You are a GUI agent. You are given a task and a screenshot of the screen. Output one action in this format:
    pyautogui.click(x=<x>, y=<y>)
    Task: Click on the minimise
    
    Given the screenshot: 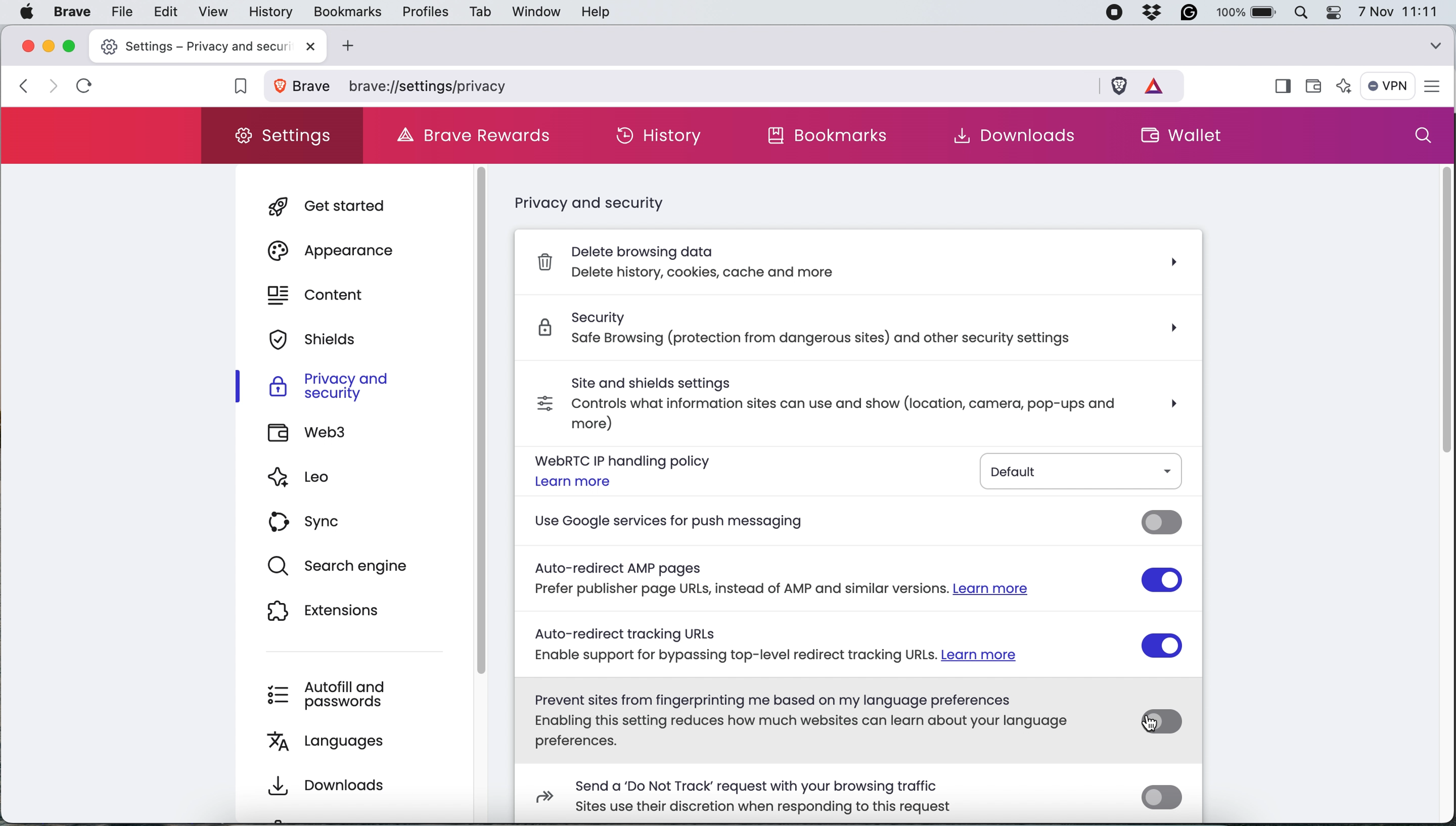 What is the action you would take?
    pyautogui.click(x=49, y=45)
    